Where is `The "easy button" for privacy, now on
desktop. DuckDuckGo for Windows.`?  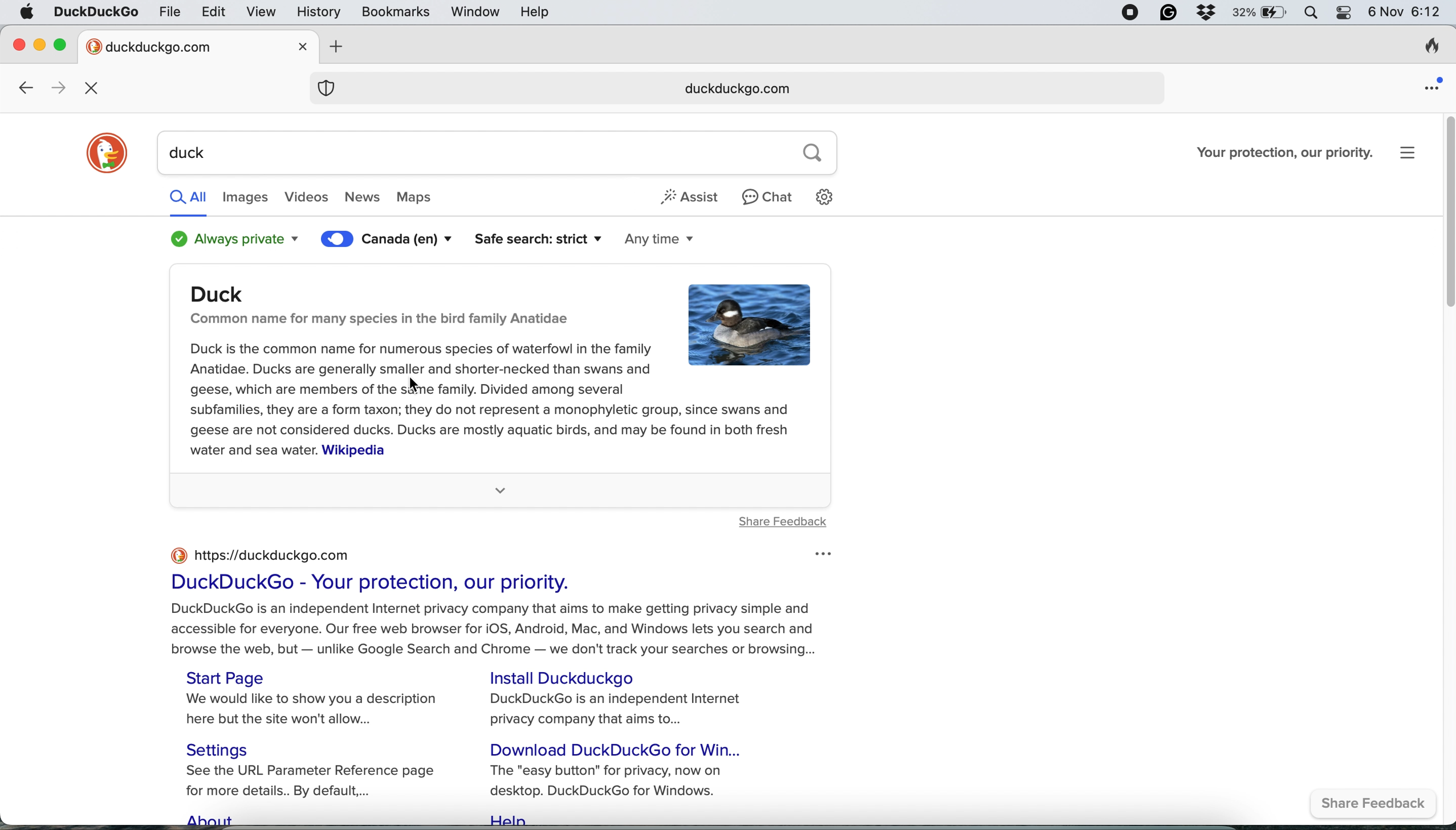
The "easy button" for privacy, now on
desktop. DuckDuckGo for Windows. is located at coordinates (612, 780).